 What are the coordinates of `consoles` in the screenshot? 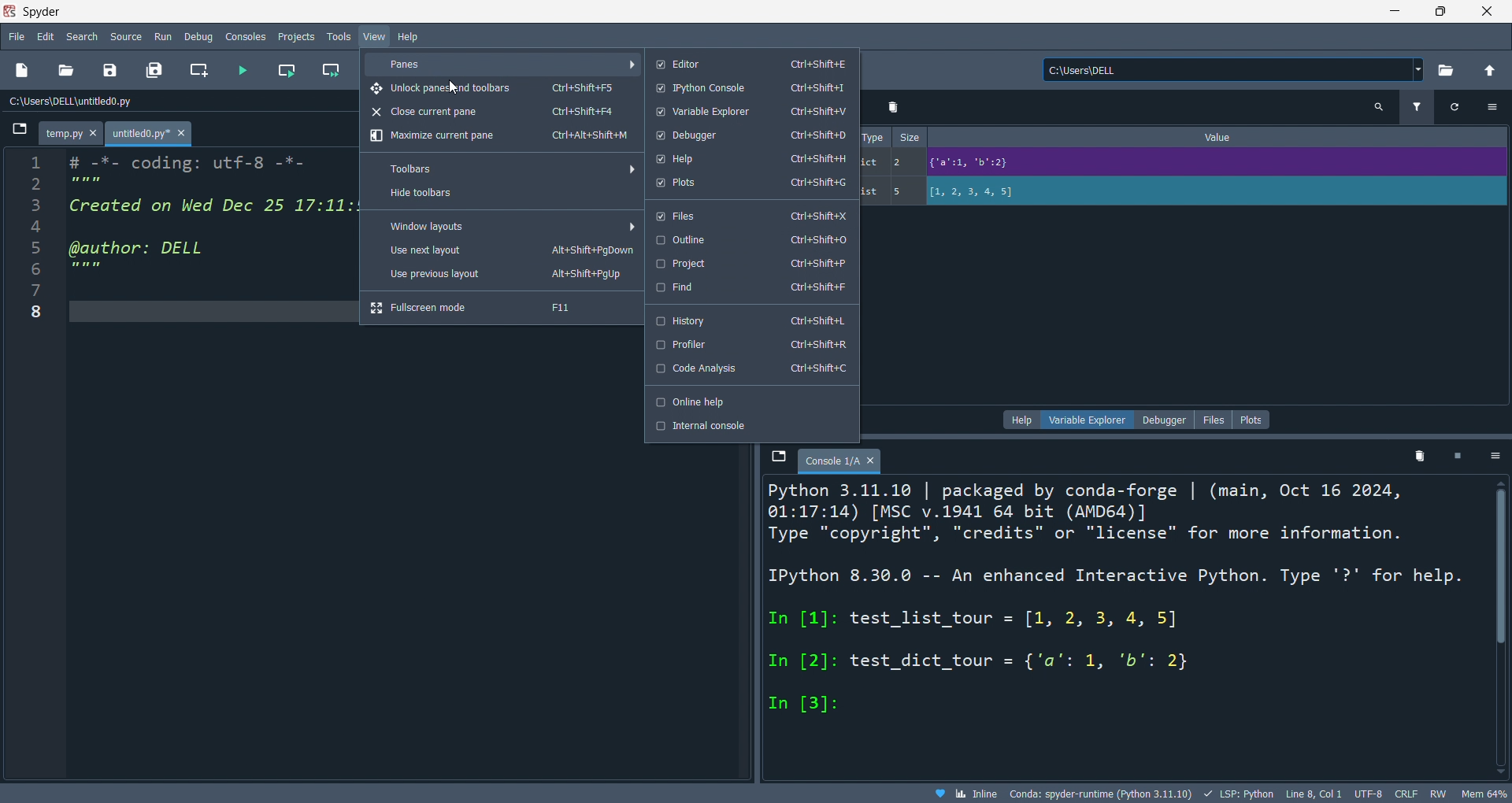 It's located at (248, 35).